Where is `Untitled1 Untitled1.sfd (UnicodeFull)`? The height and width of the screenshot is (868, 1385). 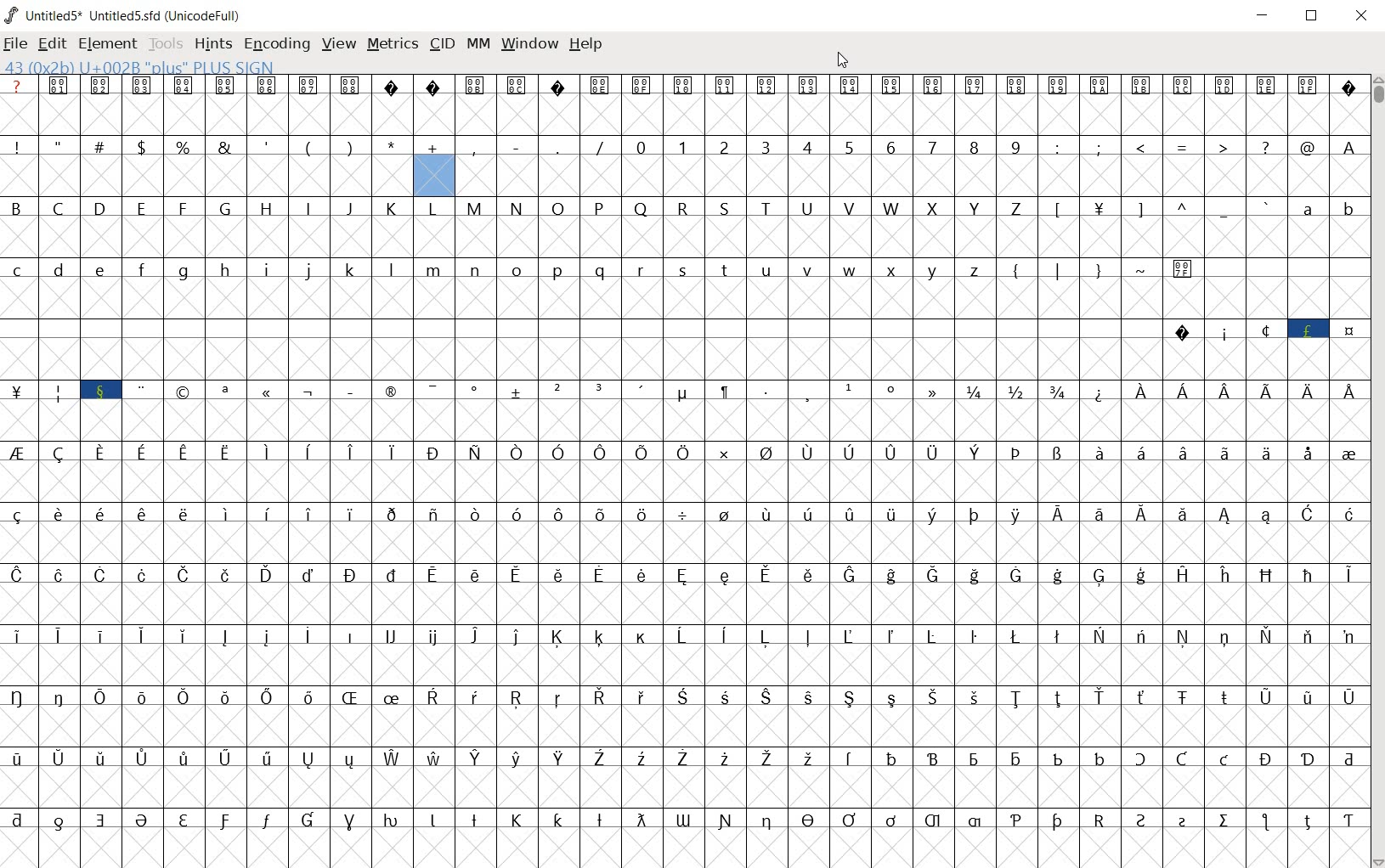 Untitled1 Untitled1.sfd (UnicodeFull) is located at coordinates (127, 15).